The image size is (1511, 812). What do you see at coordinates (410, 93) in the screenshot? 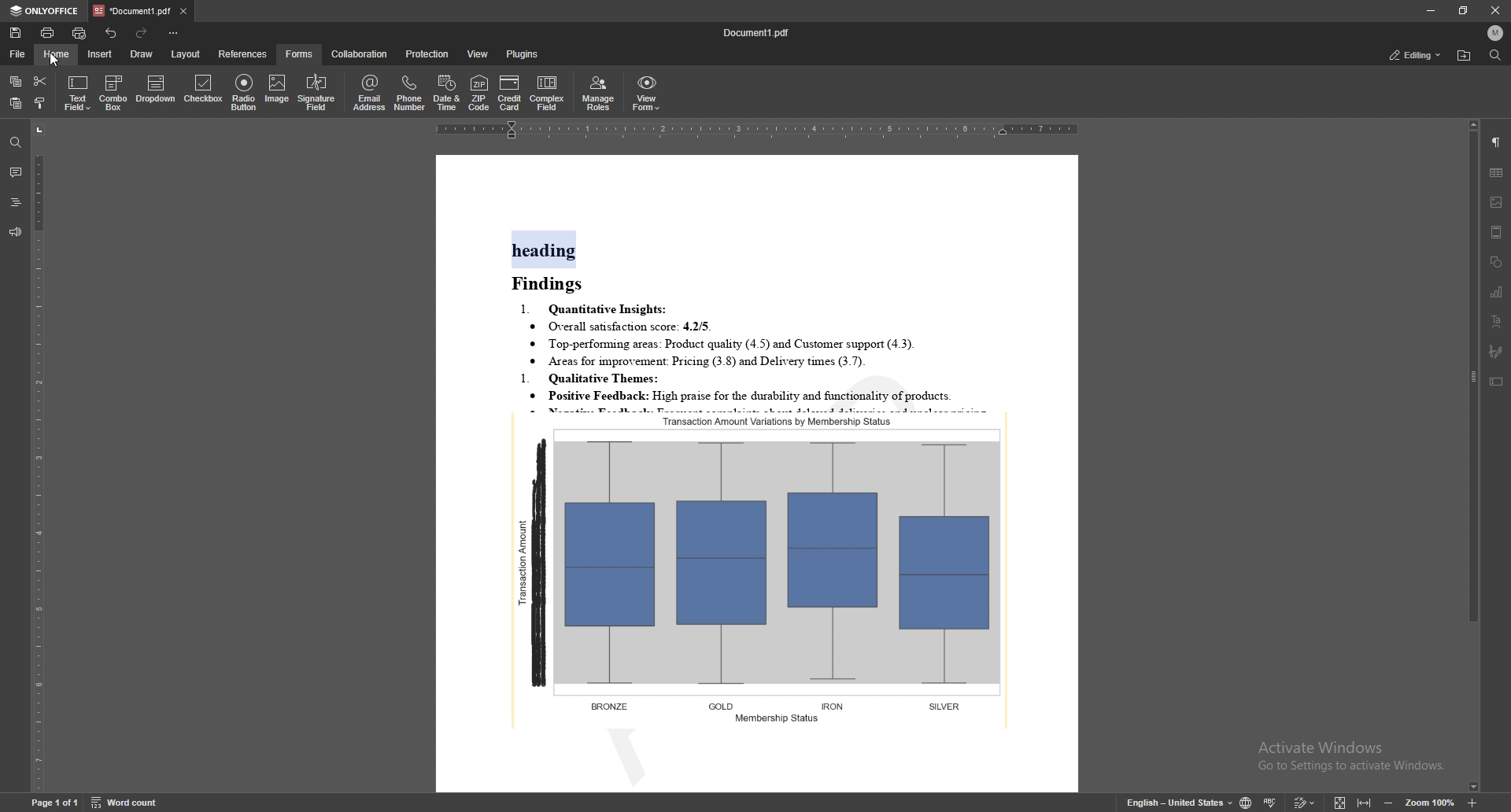
I see `phone number` at bounding box center [410, 93].